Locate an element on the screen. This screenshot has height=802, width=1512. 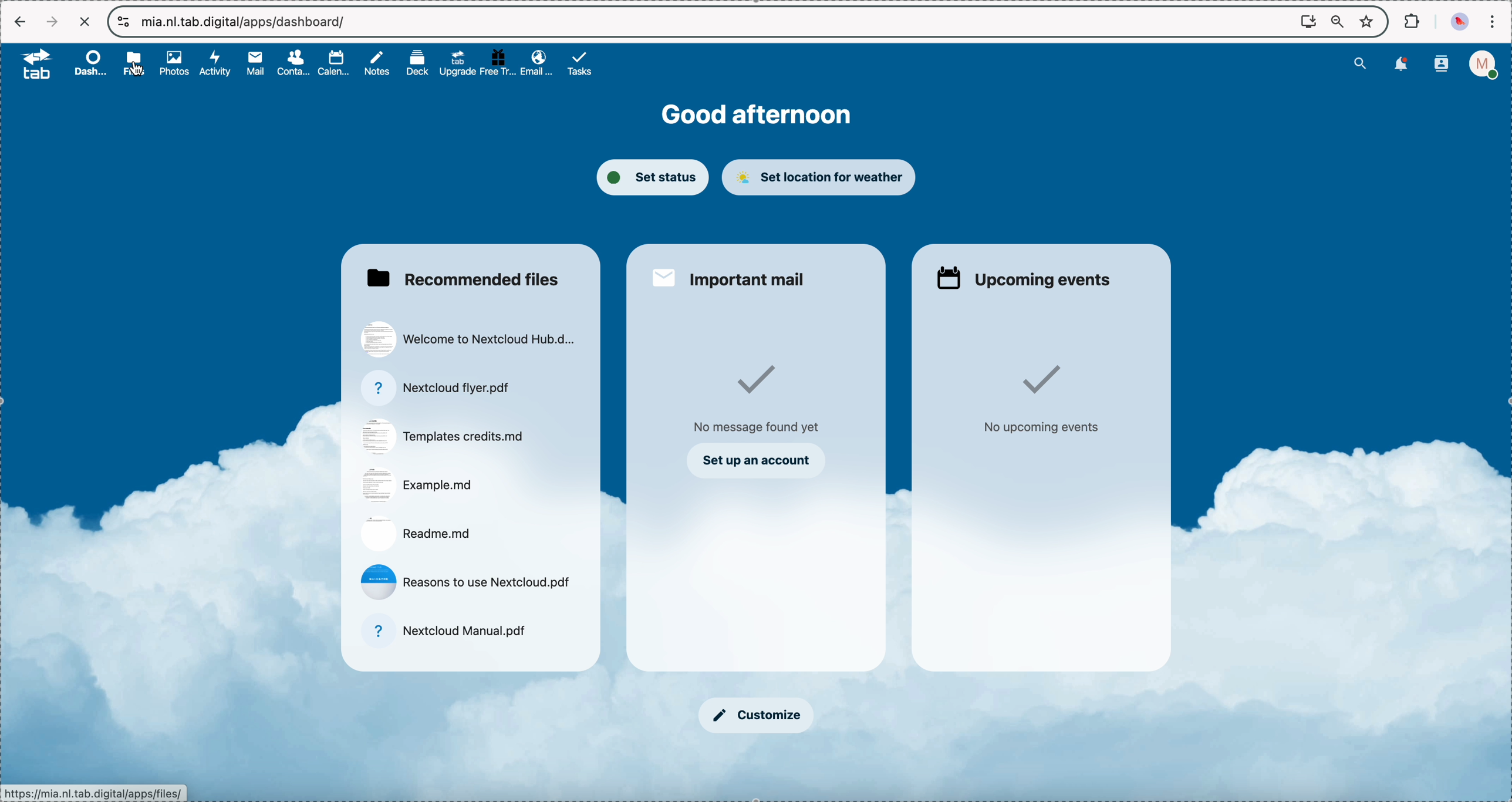
notes is located at coordinates (379, 64).